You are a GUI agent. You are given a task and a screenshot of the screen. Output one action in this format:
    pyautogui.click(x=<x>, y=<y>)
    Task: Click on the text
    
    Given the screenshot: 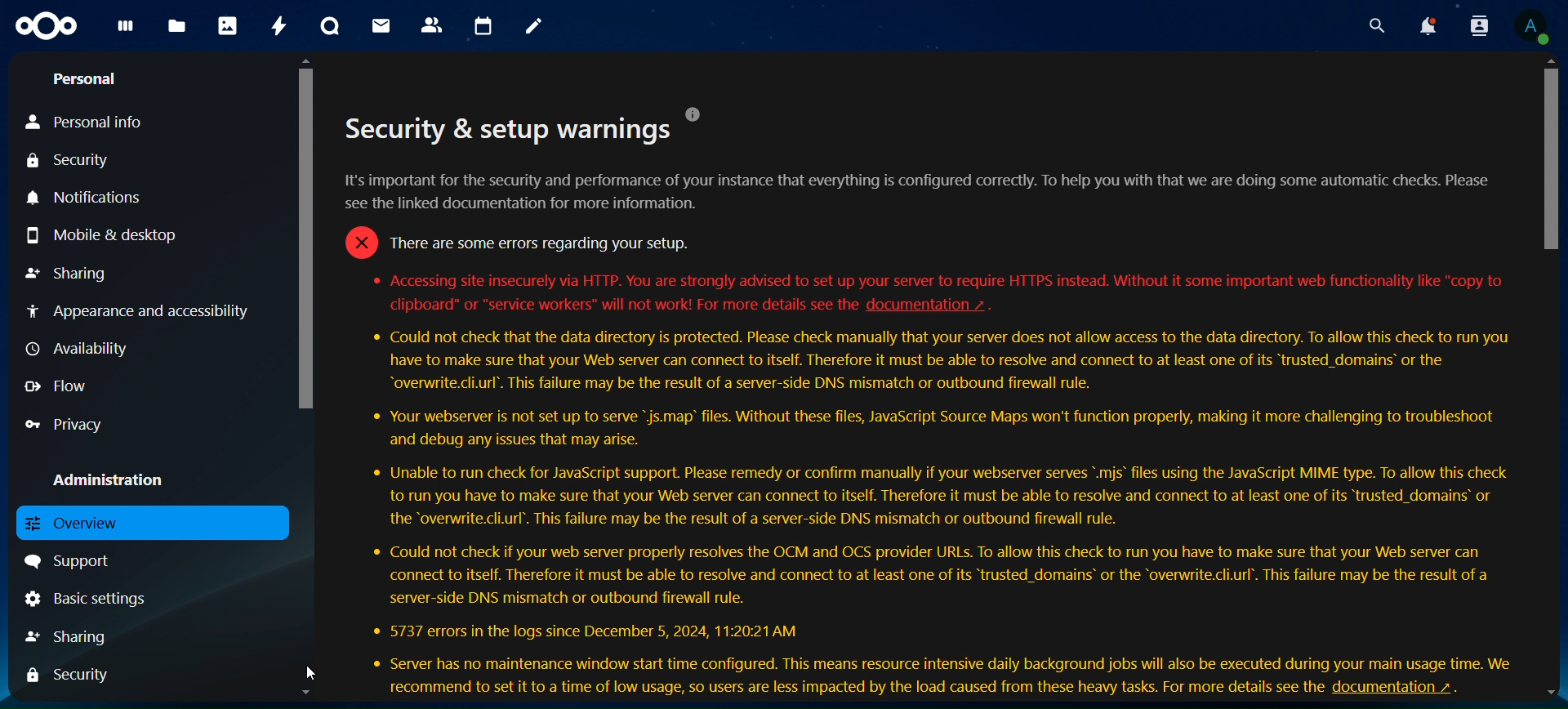 What is the action you would take?
    pyautogui.click(x=921, y=227)
    